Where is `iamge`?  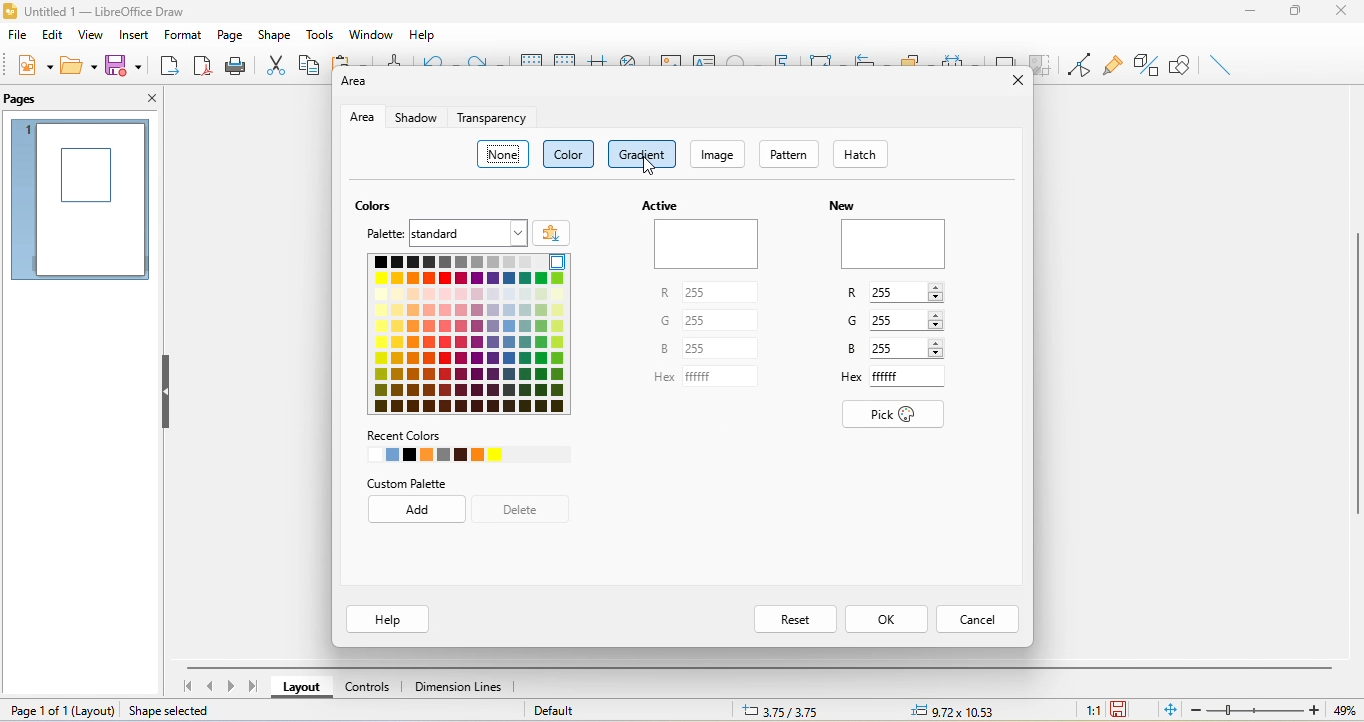
iamge is located at coordinates (722, 154).